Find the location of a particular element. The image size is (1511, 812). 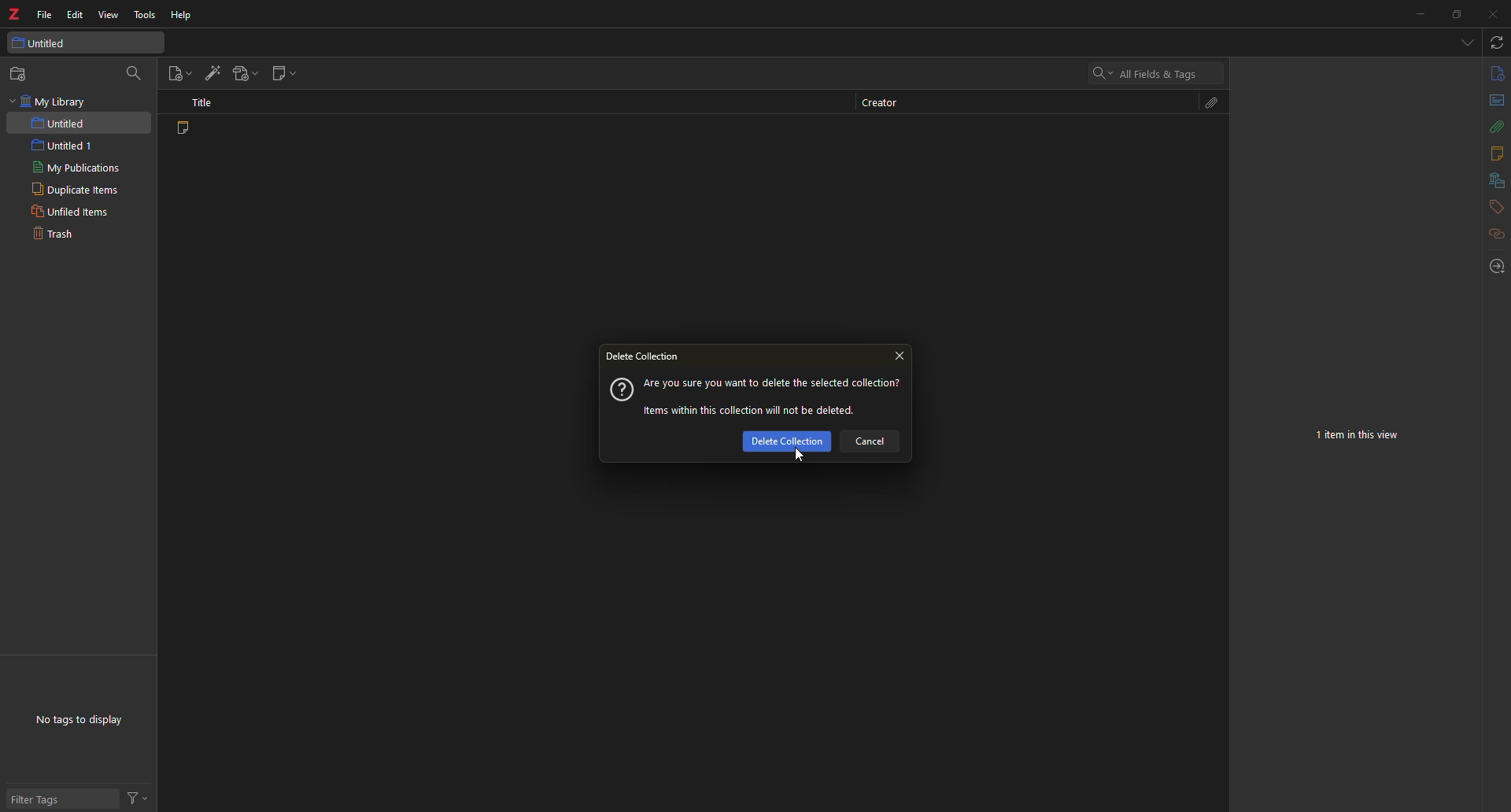

message is located at coordinates (777, 396).